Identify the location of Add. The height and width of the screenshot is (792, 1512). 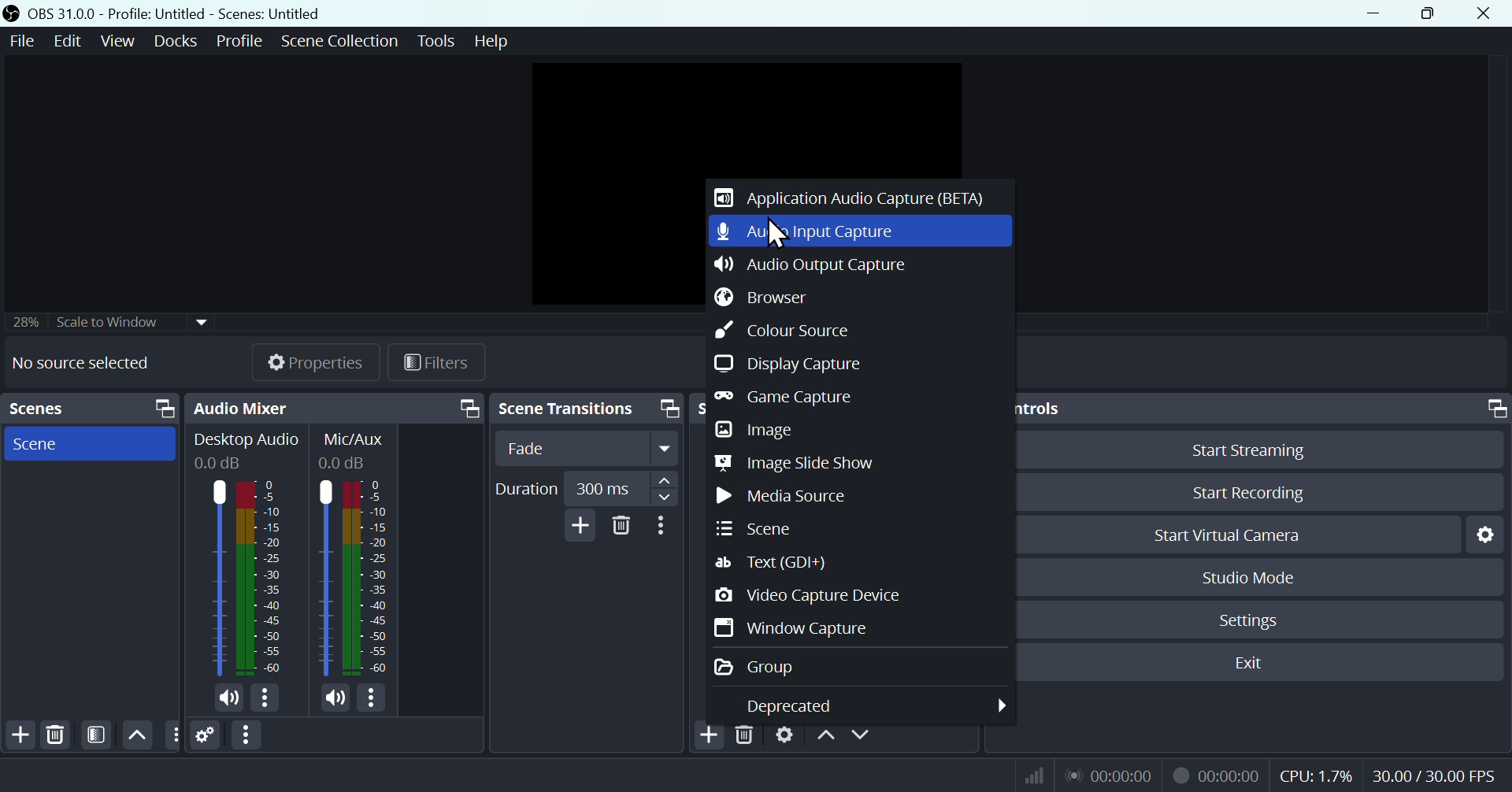
(19, 735).